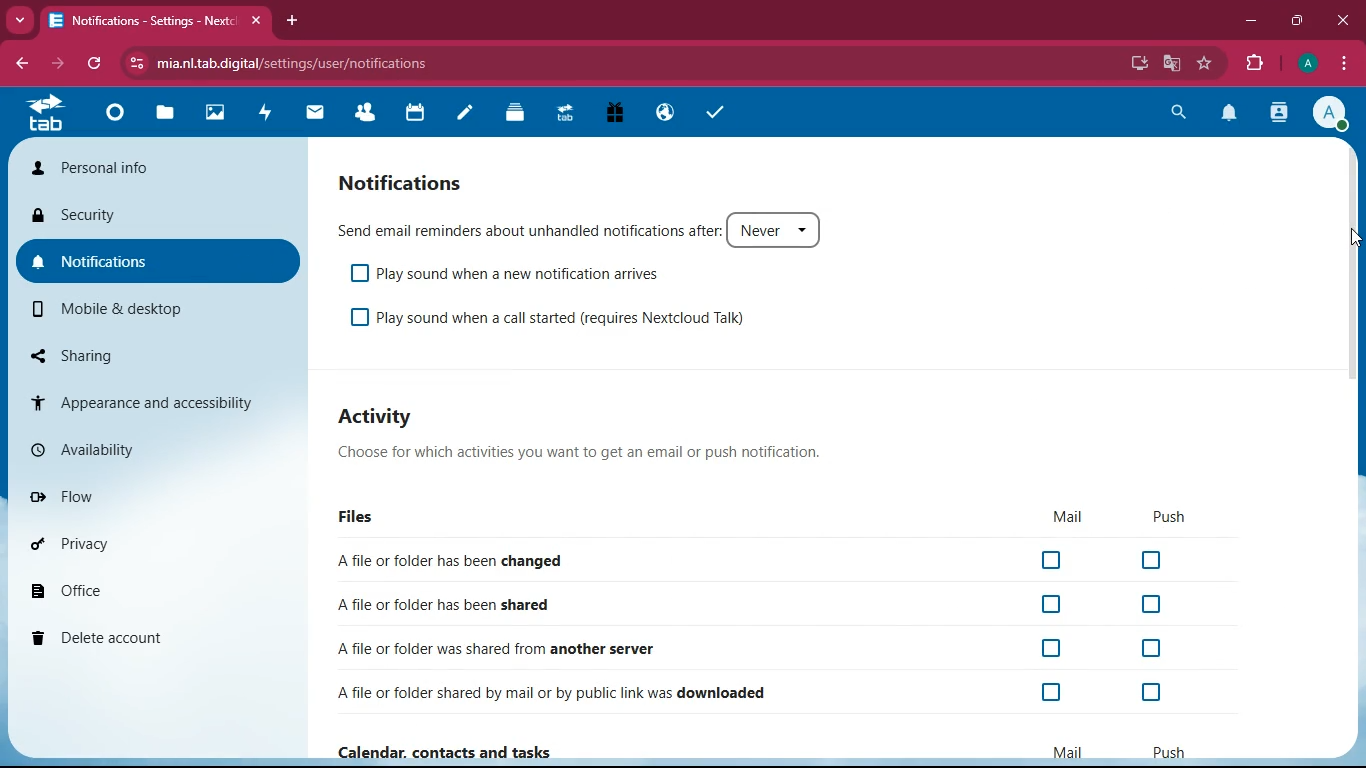  Describe the element at coordinates (1167, 751) in the screenshot. I see `Push` at that location.